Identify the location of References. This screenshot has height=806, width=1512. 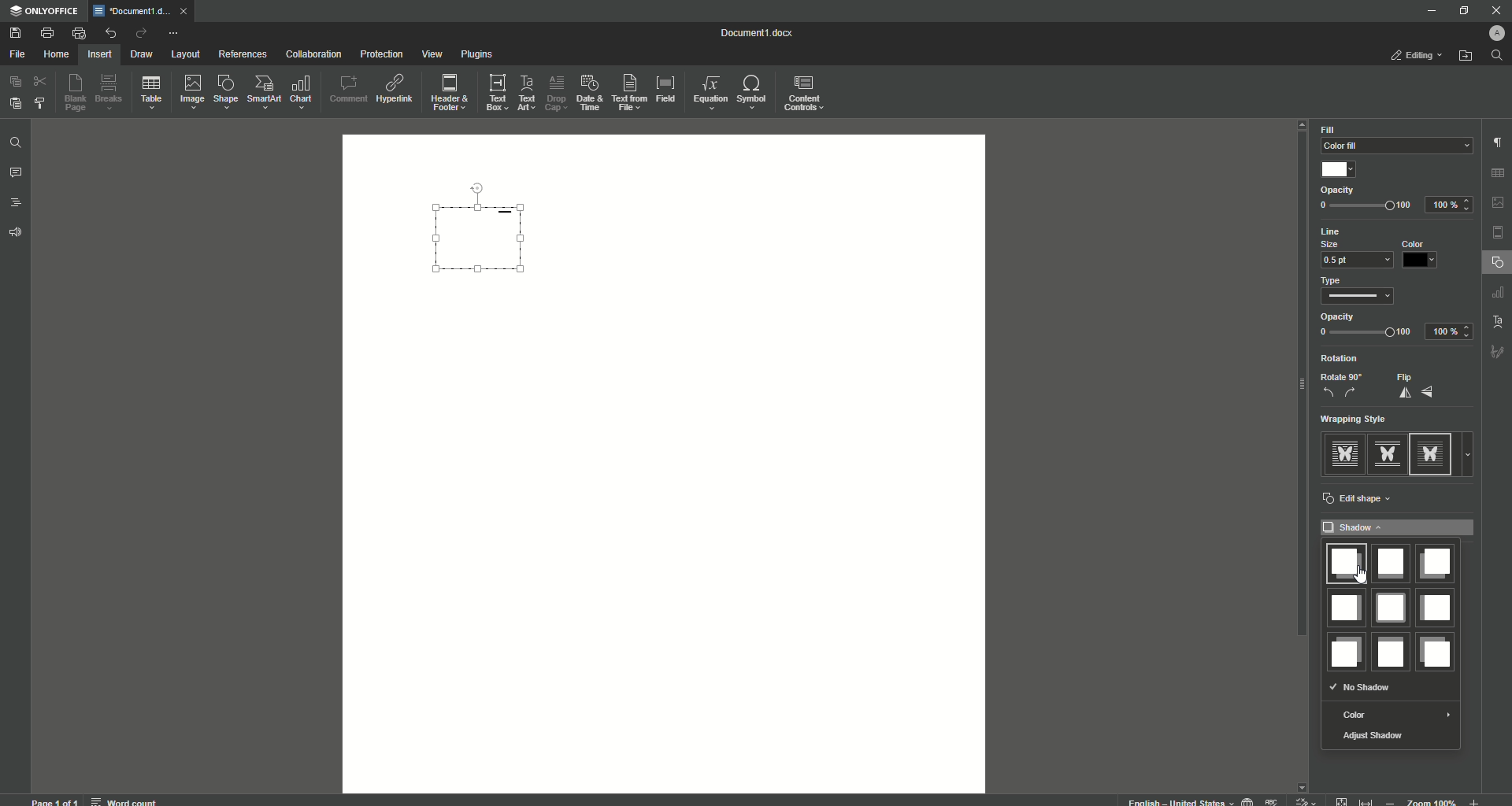
(243, 54).